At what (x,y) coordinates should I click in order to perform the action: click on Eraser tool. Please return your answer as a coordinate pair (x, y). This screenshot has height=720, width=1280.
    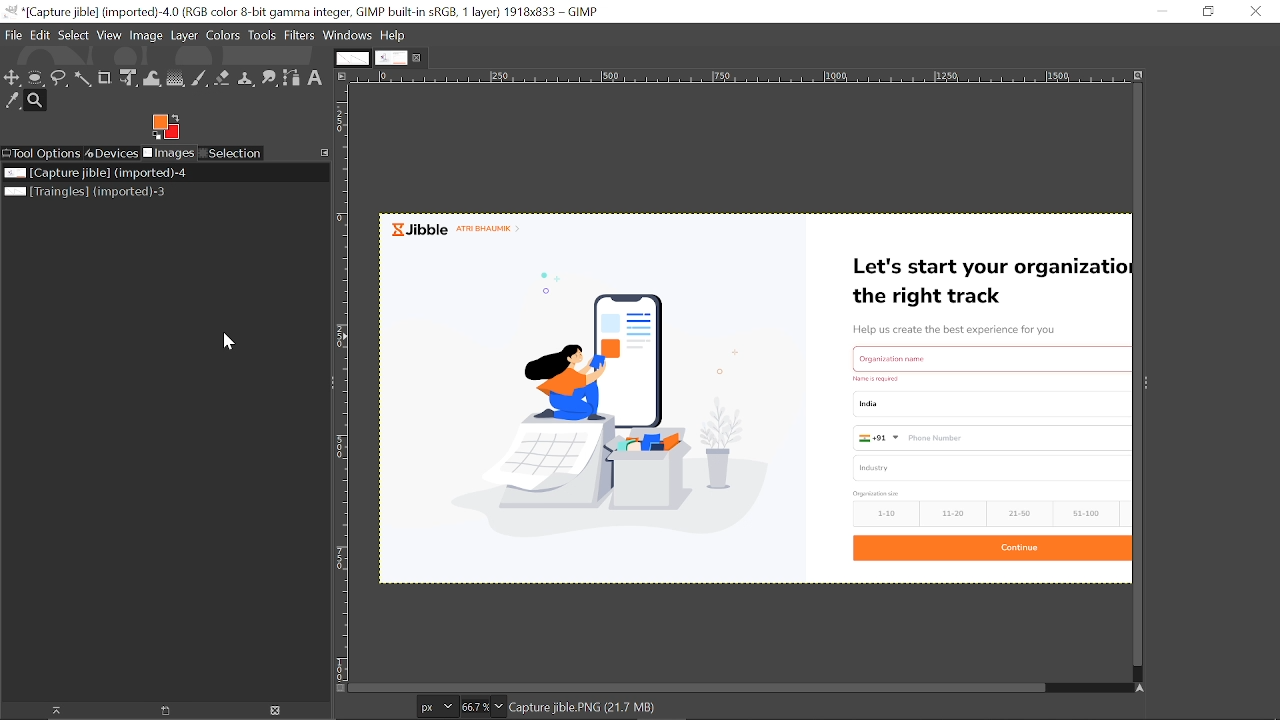
    Looking at the image, I should click on (220, 79).